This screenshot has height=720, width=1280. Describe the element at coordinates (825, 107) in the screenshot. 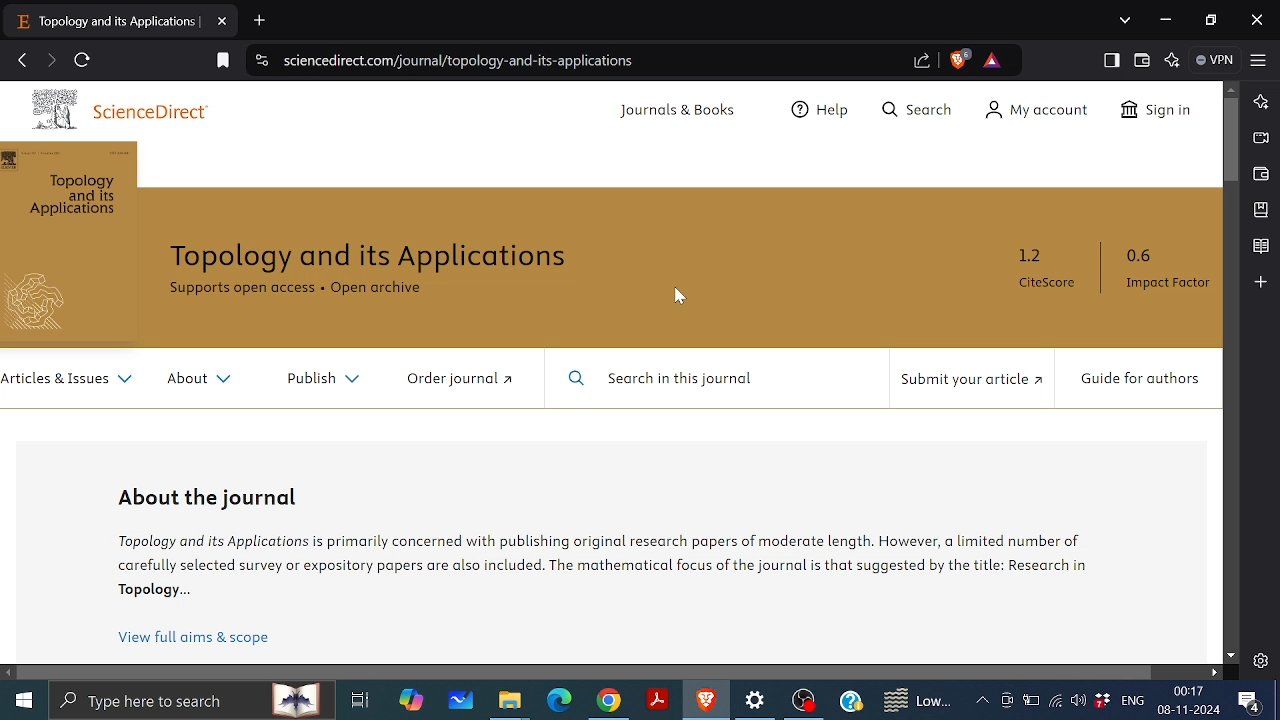

I see `@ Help` at that location.